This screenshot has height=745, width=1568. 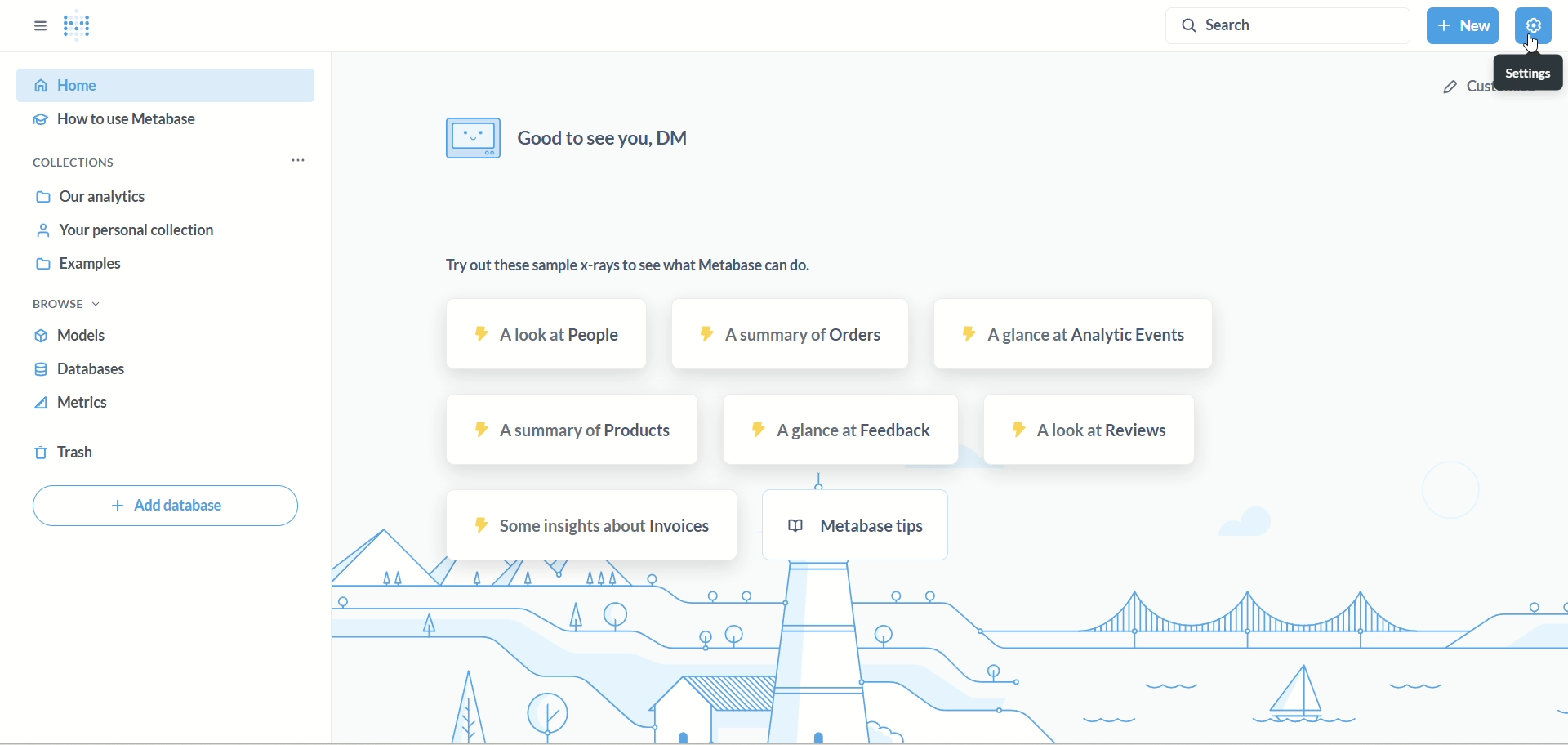 What do you see at coordinates (574, 429) in the screenshot?
I see `products` at bounding box center [574, 429].